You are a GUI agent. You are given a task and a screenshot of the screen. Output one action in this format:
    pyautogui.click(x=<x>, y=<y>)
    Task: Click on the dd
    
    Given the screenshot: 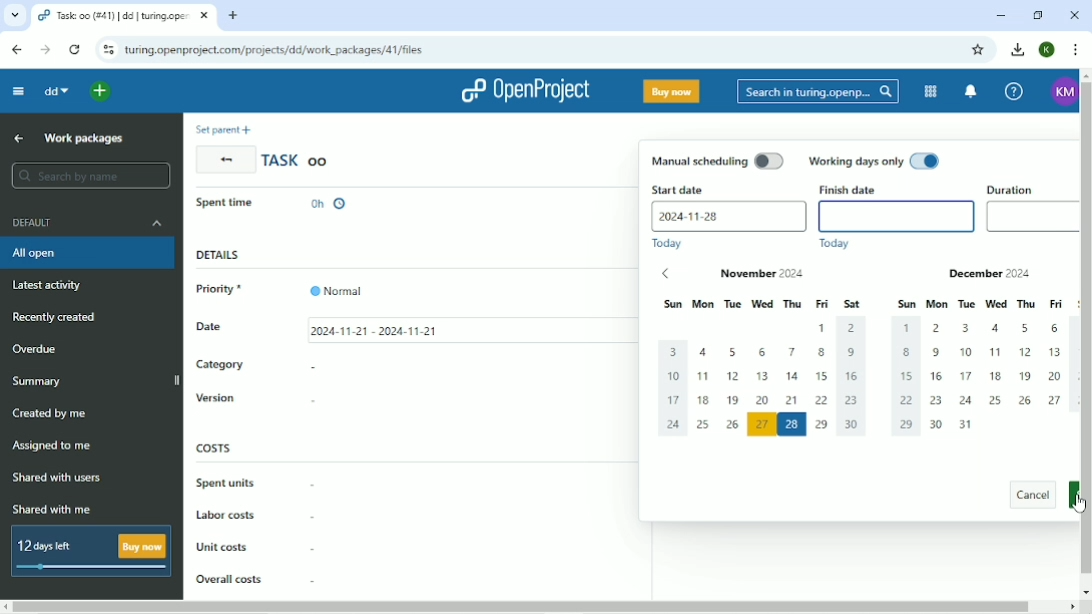 What is the action you would take?
    pyautogui.click(x=56, y=91)
    